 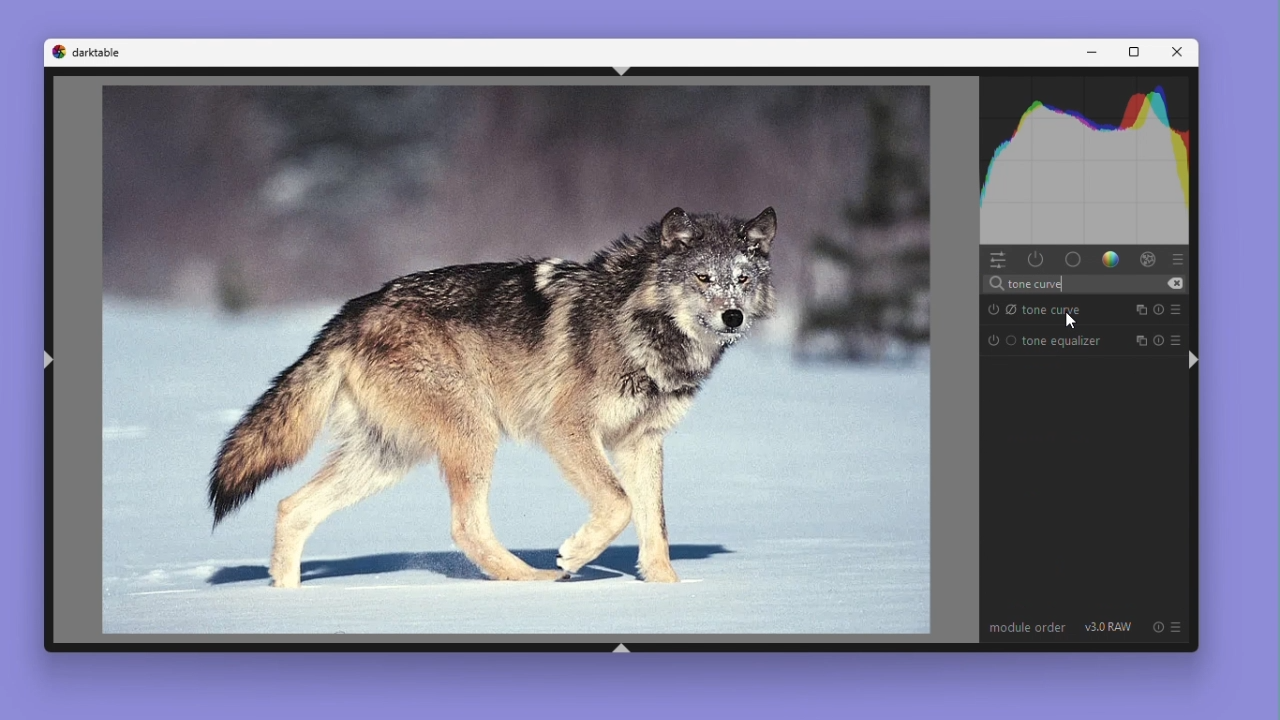 What do you see at coordinates (1178, 260) in the screenshot?
I see `Preset` at bounding box center [1178, 260].